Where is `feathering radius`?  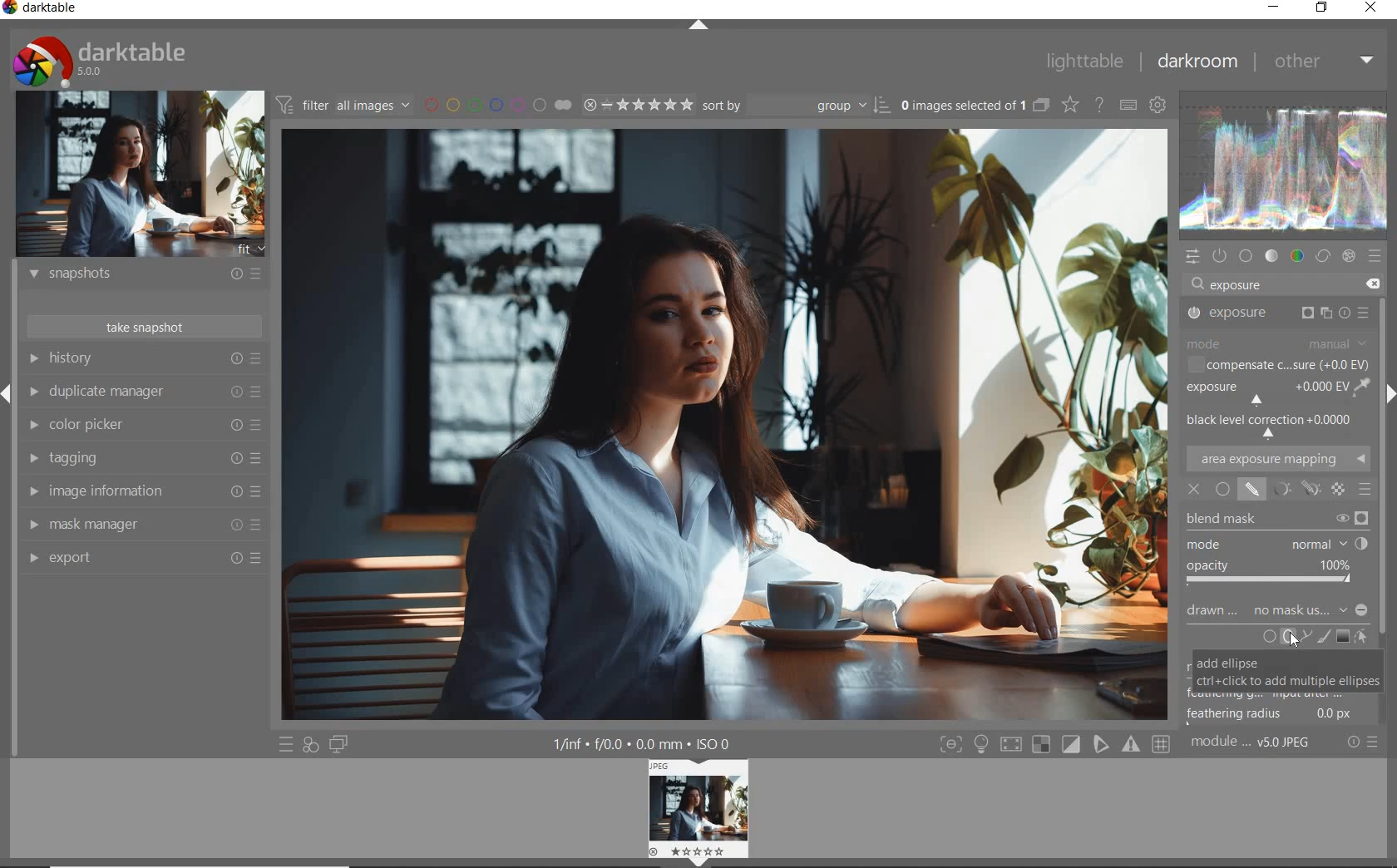 feathering radius is located at coordinates (1269, 714).